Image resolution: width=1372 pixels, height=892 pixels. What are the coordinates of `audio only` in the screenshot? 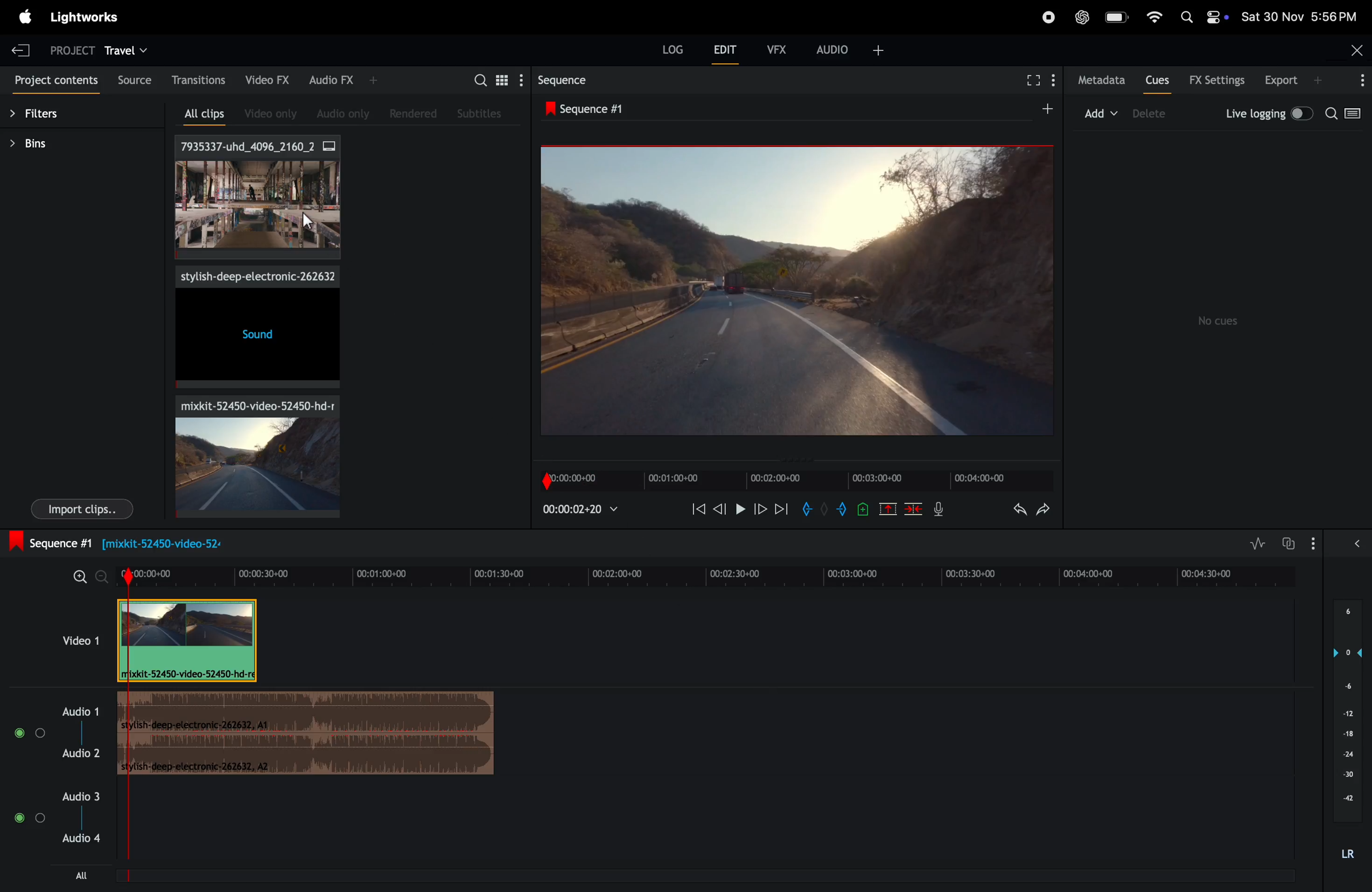 It's located at (338, 112).